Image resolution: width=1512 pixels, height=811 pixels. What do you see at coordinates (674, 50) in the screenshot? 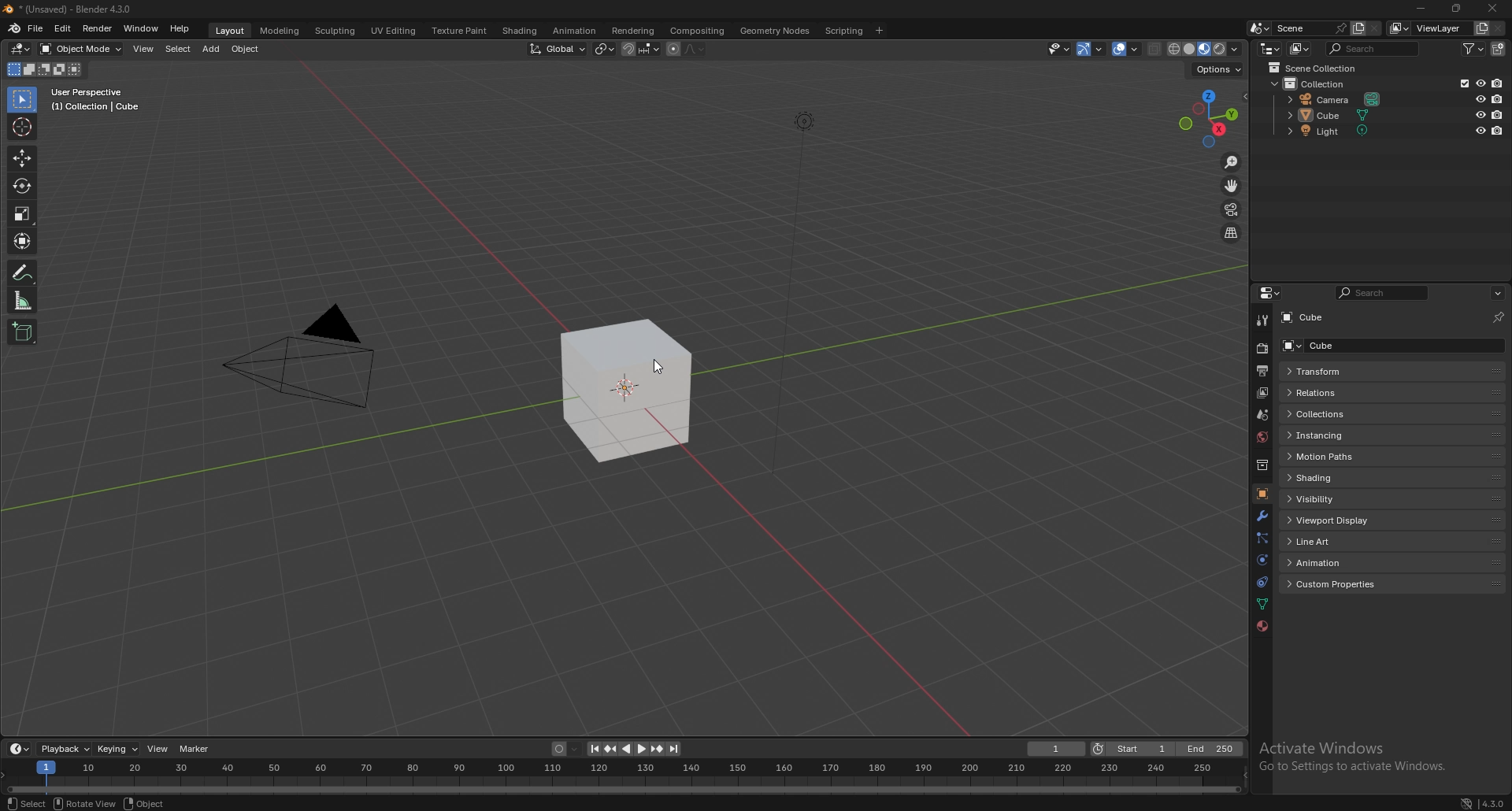
I see `proportional editing object` at bounding box center [674, 50].